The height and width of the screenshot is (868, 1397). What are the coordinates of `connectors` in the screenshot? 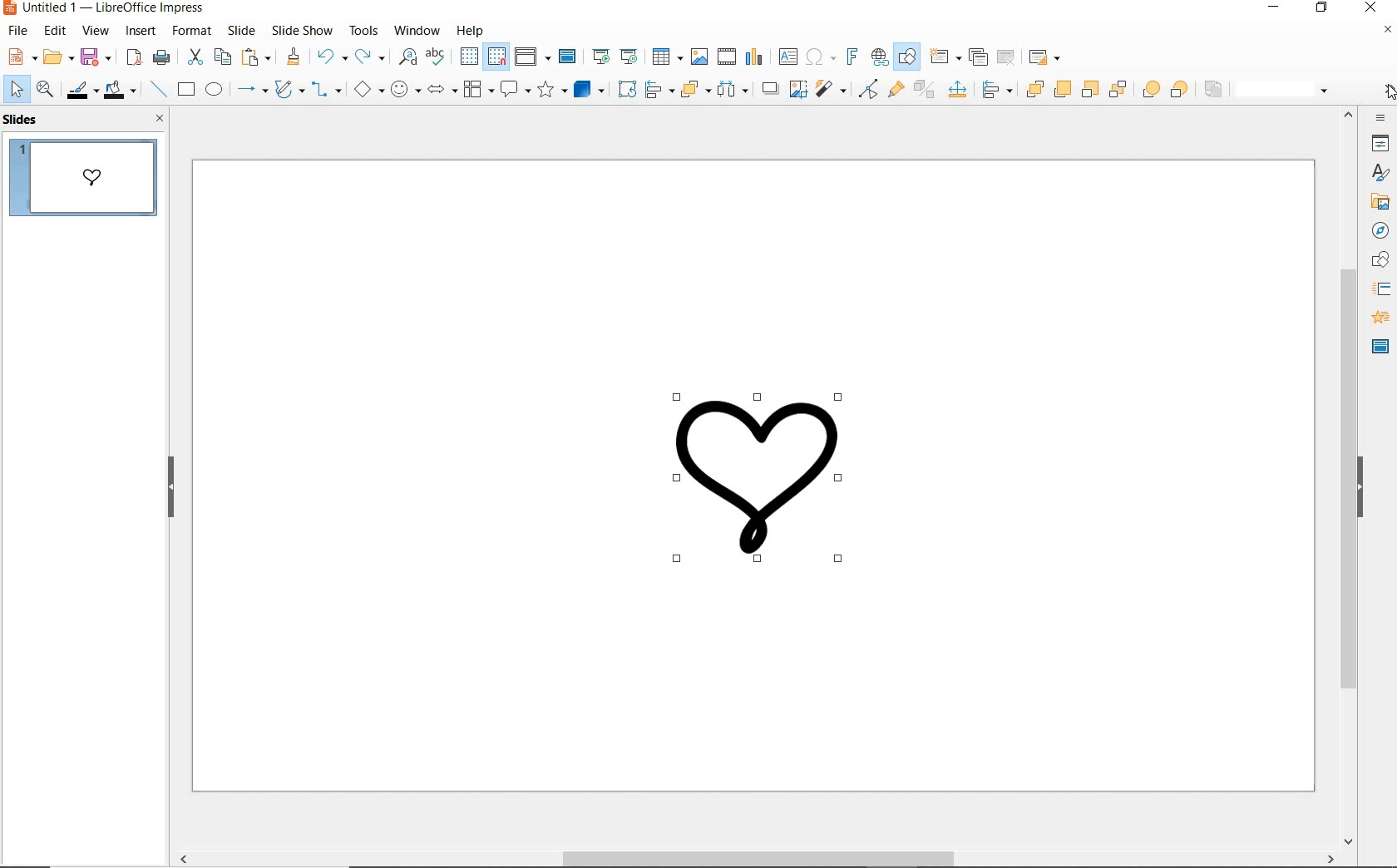 It's located at (324, 91).